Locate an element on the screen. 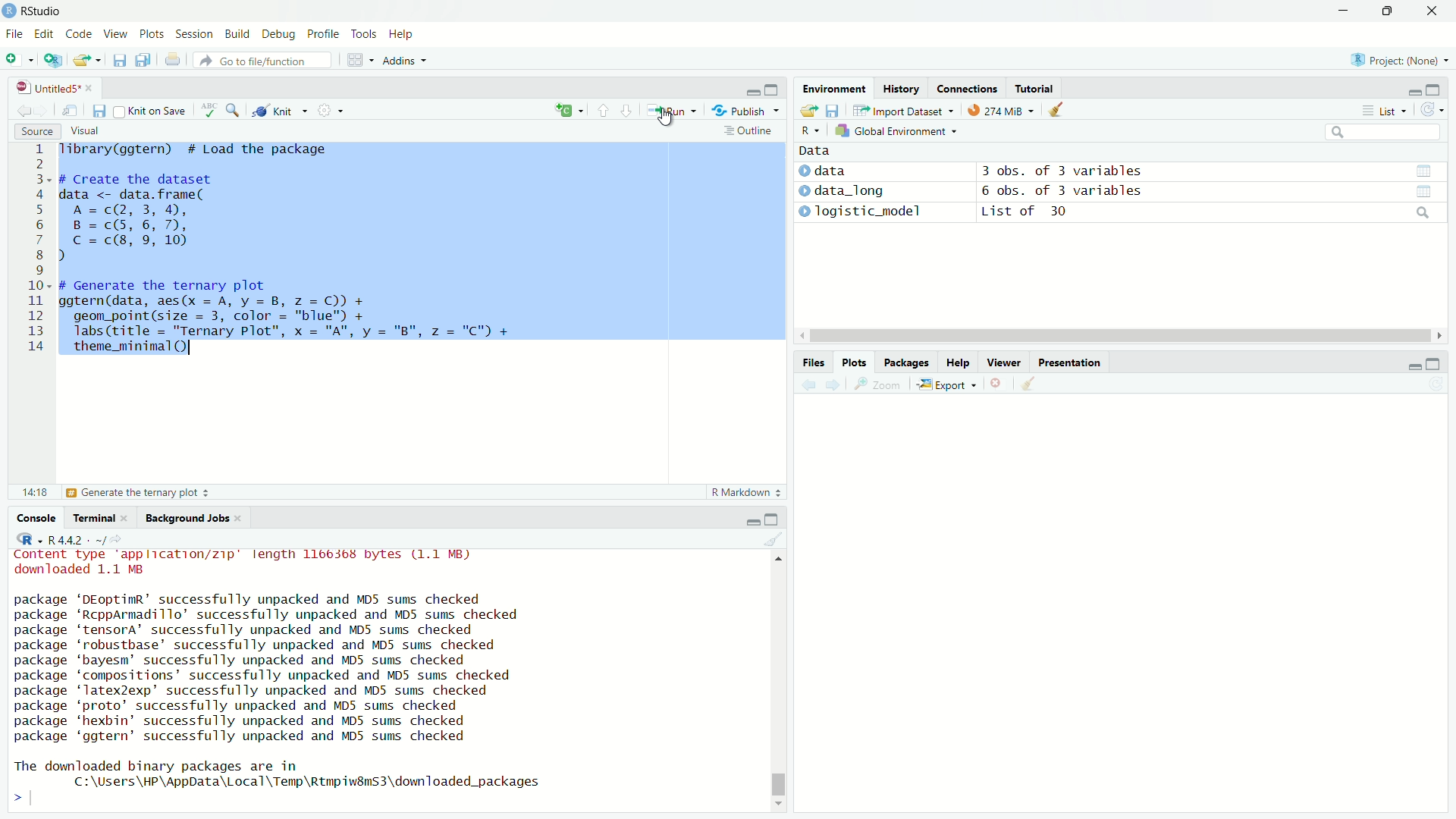 This screenshot has height=819, width=1456. view is located at coordinates (1431, 191).